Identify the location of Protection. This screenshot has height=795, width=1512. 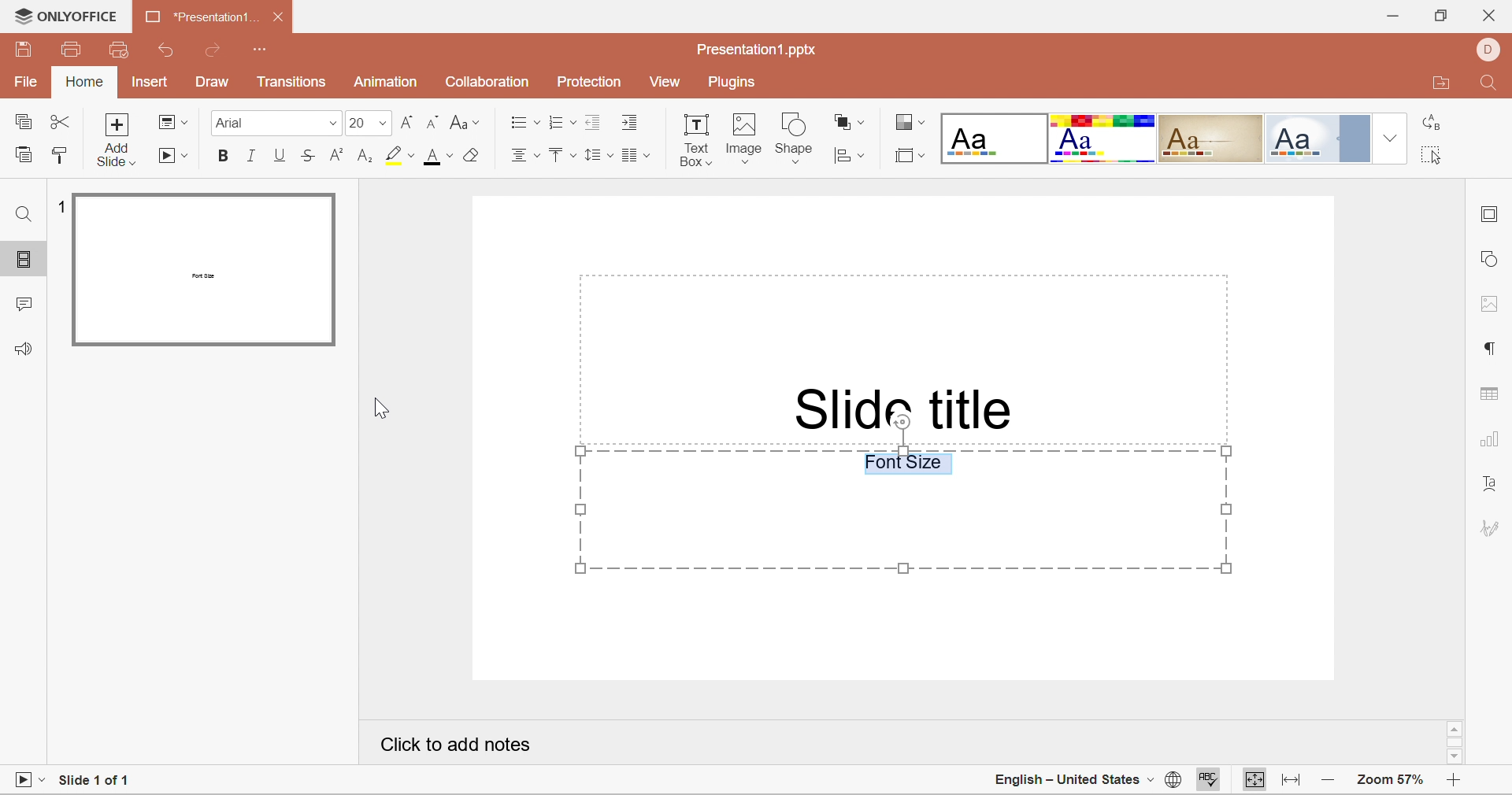
(589, 80).